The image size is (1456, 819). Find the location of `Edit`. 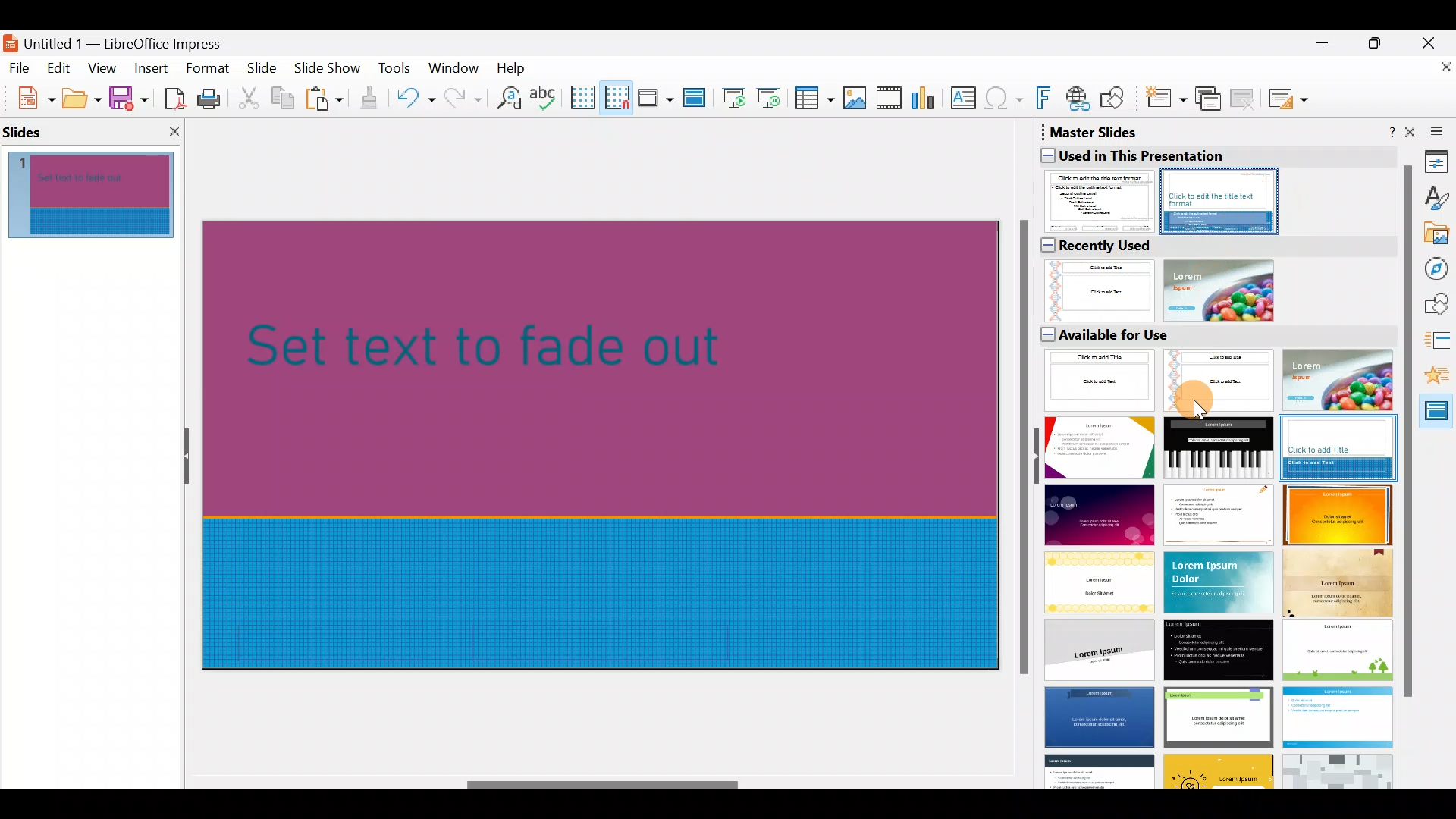

Edit is located at coordinates (61, 68).